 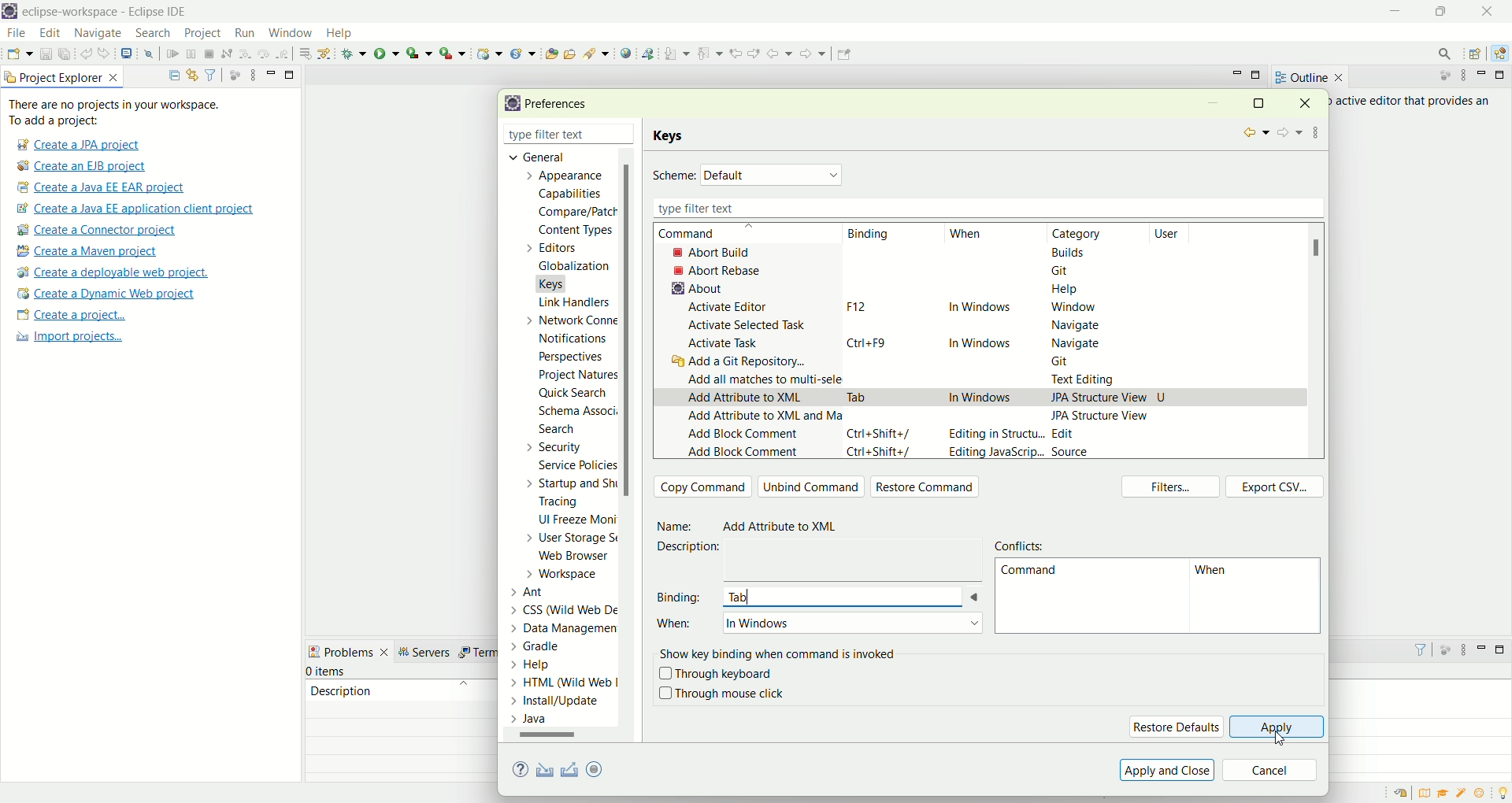 What do you see at coordinates (578, 338) in the screenshot?
I see `notifications` at bounding box center [578, 338].